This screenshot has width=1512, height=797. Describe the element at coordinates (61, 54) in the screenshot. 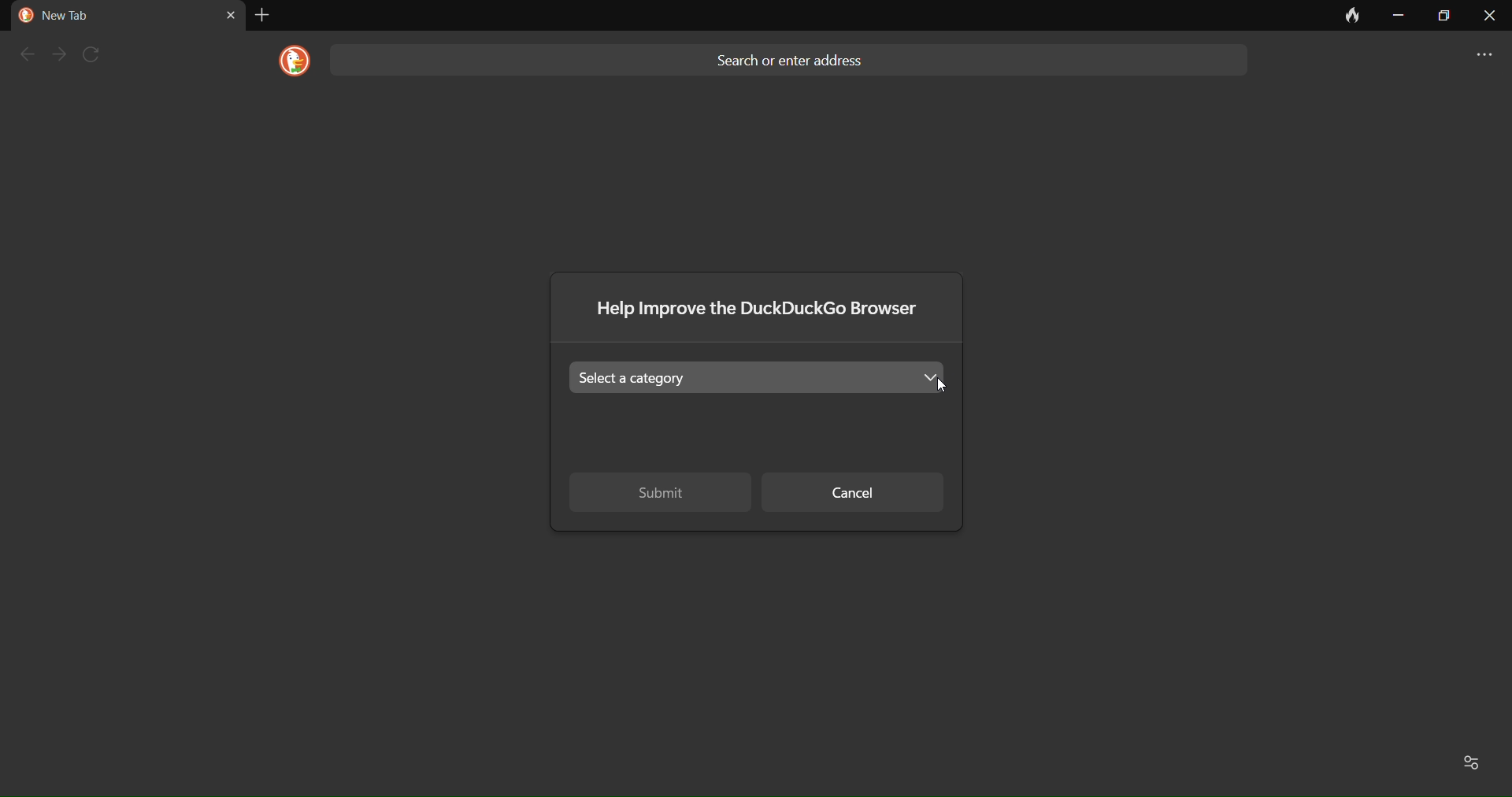

I see `next` at that location.